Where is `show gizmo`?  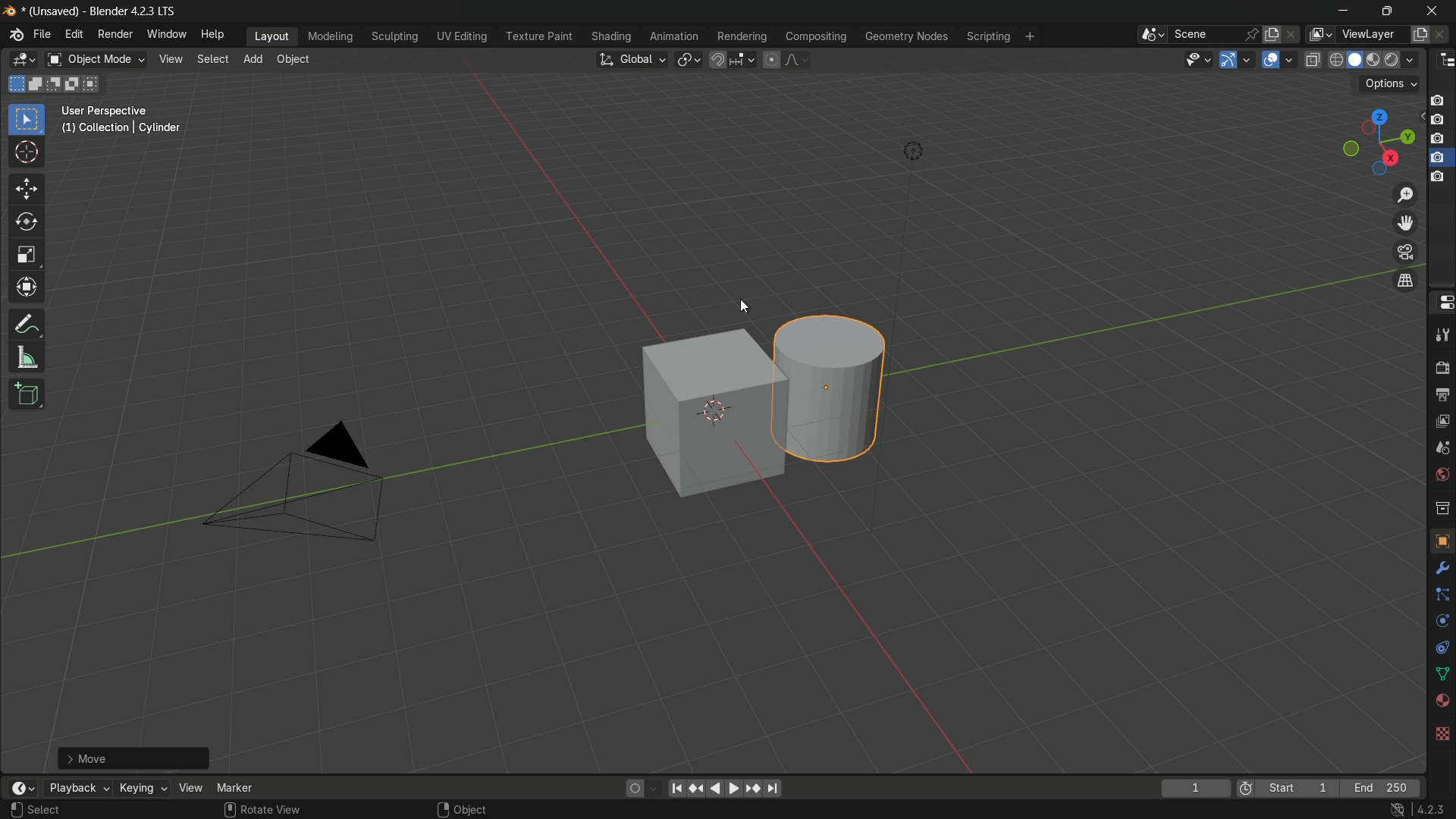 show gizmo is located at coordinates (1227, 59).